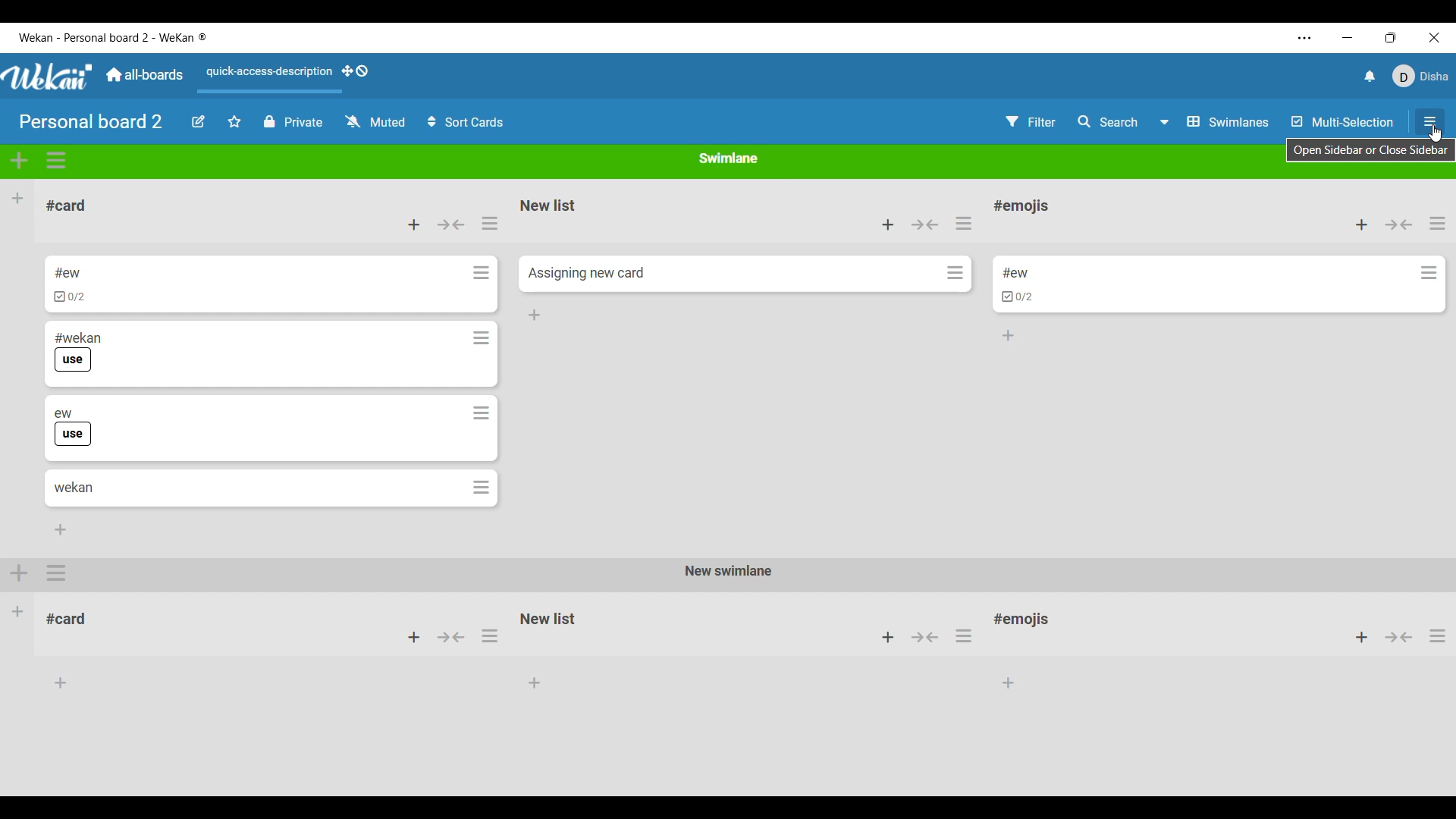 Image resolution: width=1456 pixels, height=819 pixels. Describe the element at coordinates (267, 77) in the screenshot. I see `Quick access description` at that location.